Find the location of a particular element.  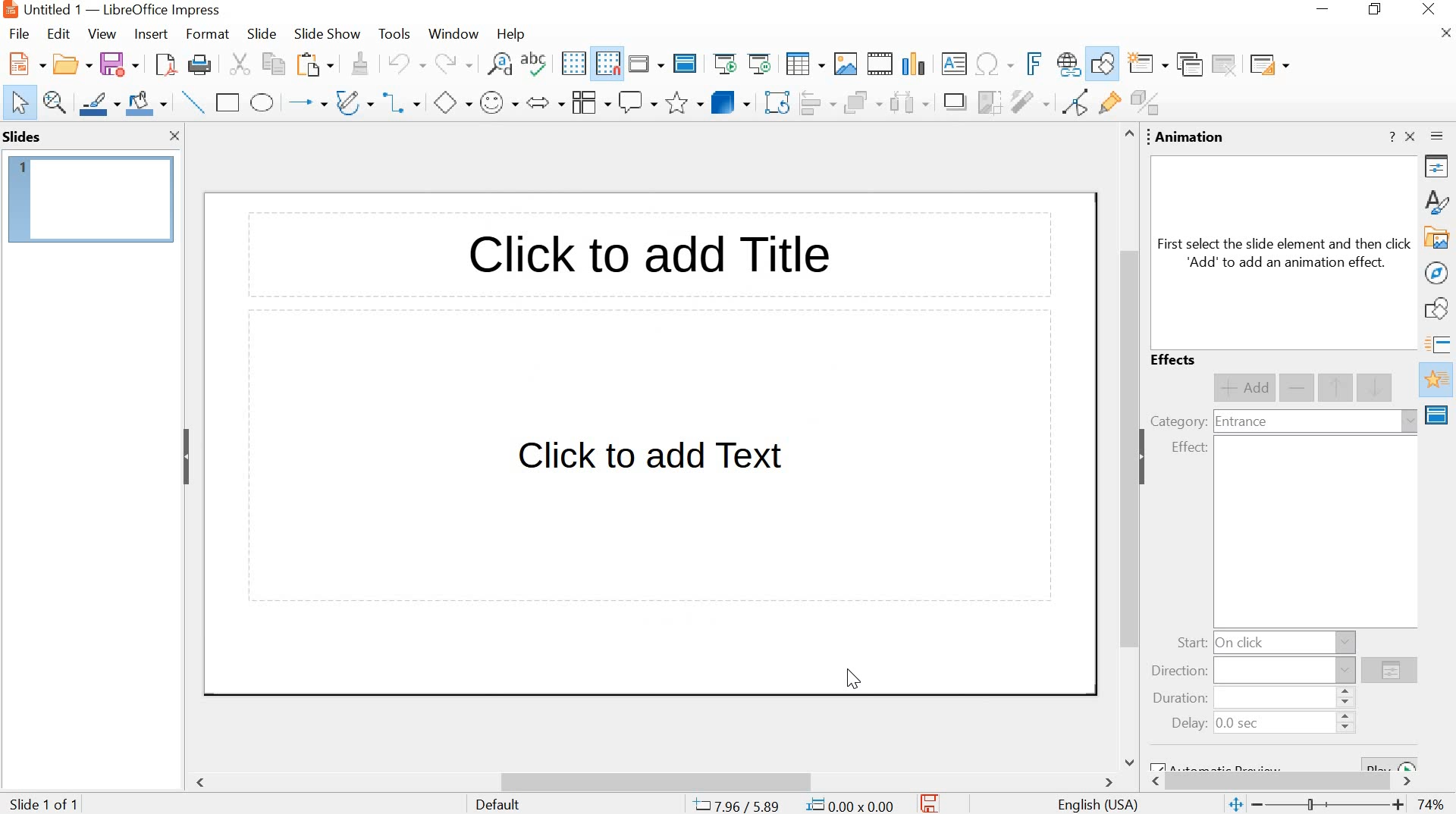

text is located at coordinates (1285, 253).